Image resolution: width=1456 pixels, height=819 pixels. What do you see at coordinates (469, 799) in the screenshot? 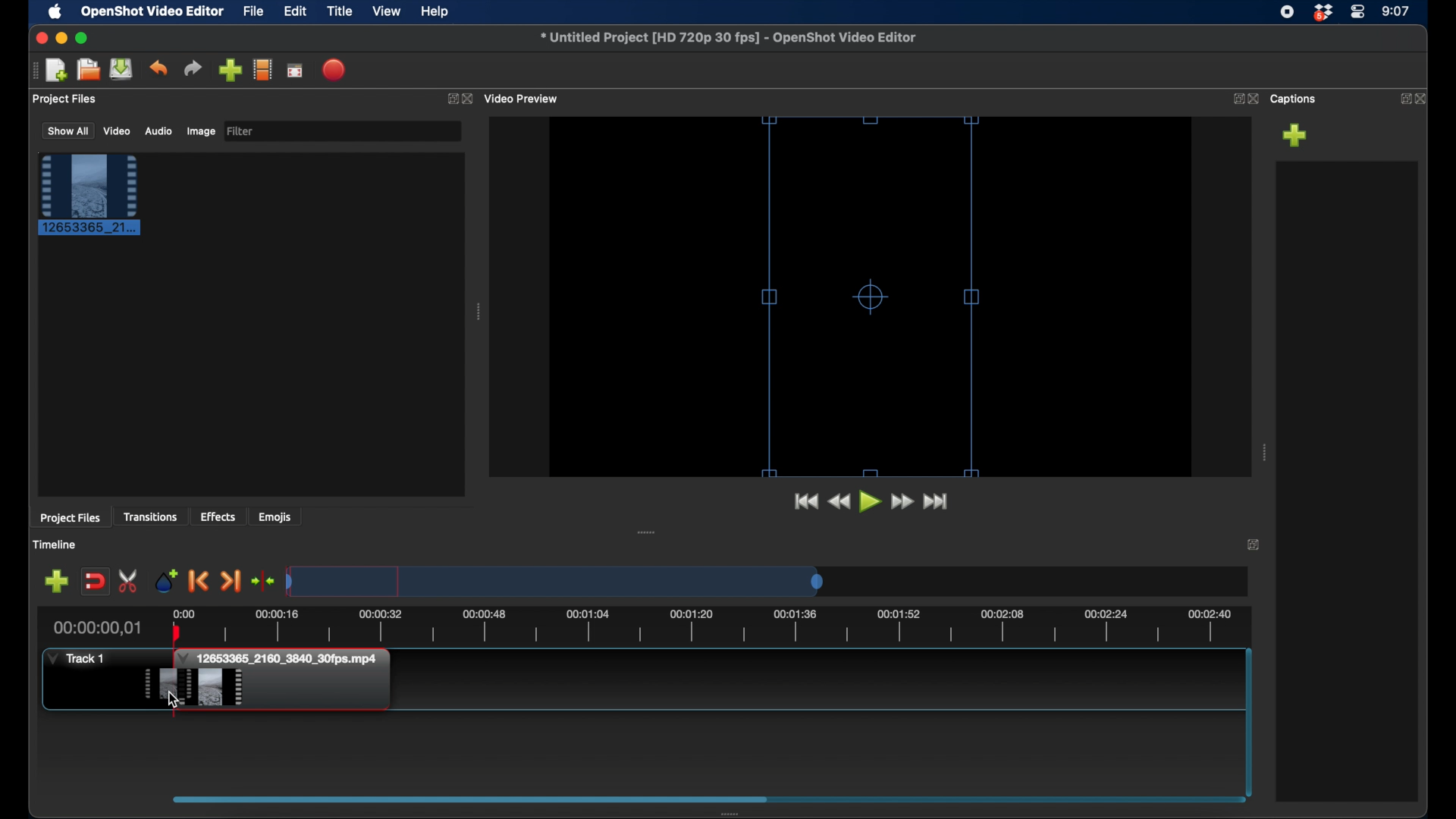
I see `scroll box` at bounding box center [469, 799].